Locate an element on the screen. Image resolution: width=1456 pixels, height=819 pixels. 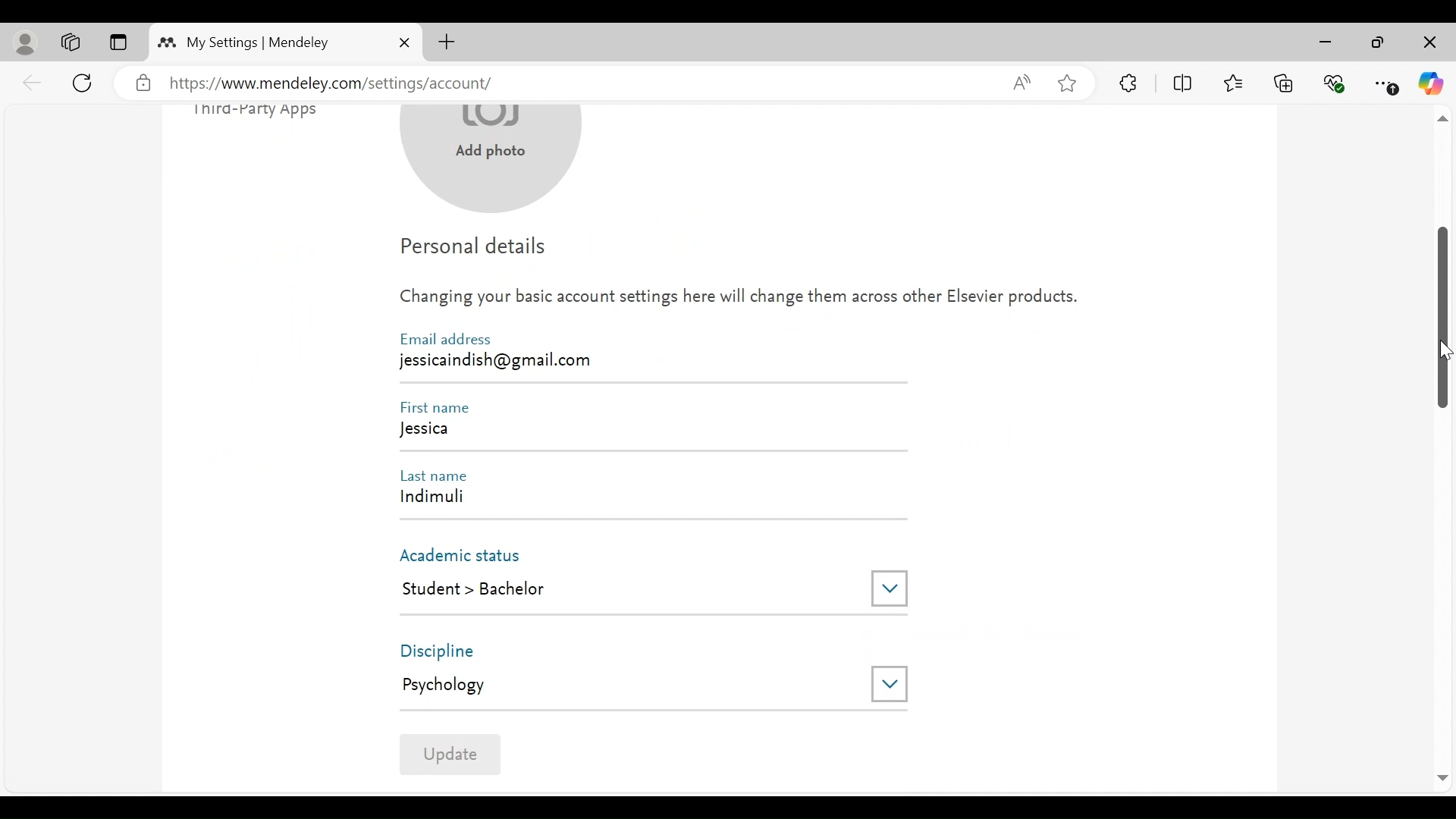
Maximize is located at coordinates (1378, 44).